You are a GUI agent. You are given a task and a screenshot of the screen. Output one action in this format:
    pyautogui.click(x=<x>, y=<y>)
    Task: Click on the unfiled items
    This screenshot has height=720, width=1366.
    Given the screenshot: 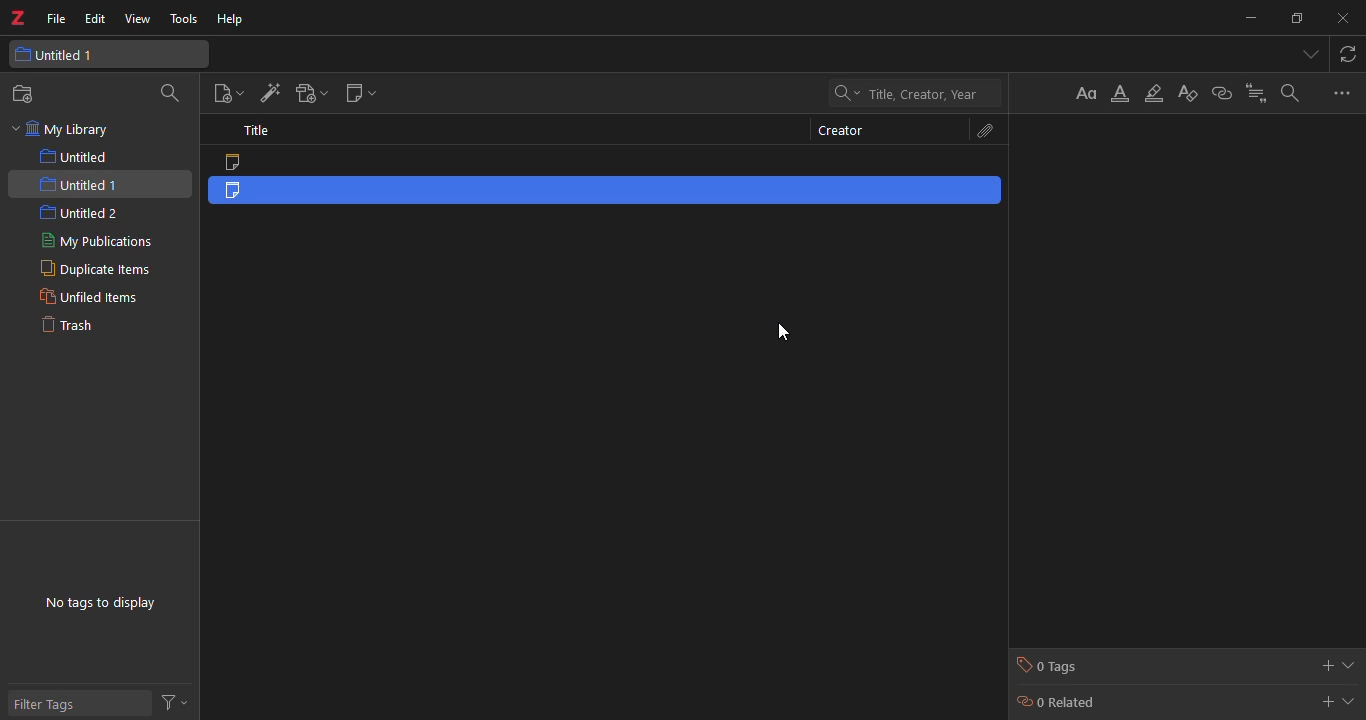 What is the action you would take?
    pyautogui.click(x=88, y=297)
    